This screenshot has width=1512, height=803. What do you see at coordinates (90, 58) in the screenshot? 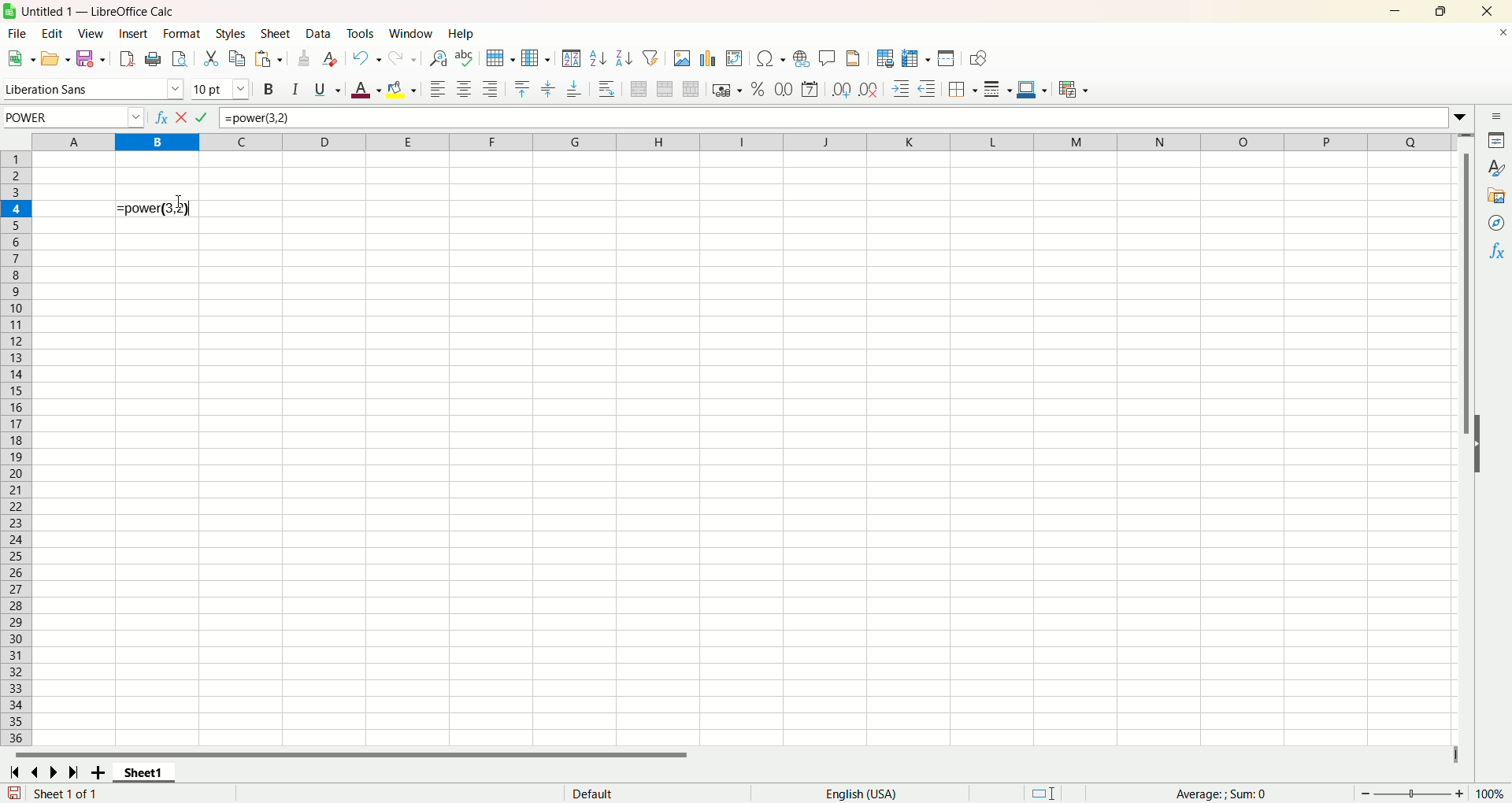
I see `save` at bounding box center [90, 58].